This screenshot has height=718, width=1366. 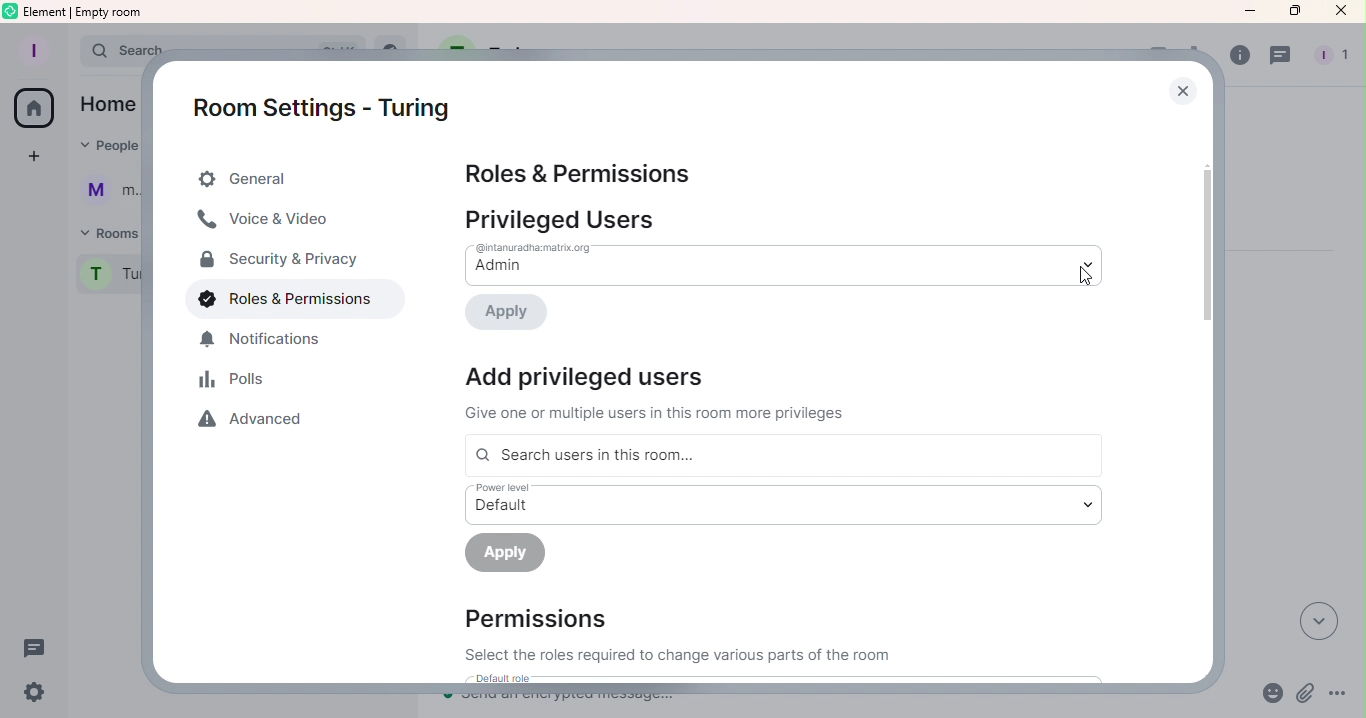 What do you see at coordinates (110, 191) in the screenshot?
I see `User` at bounding box center [110, 191].